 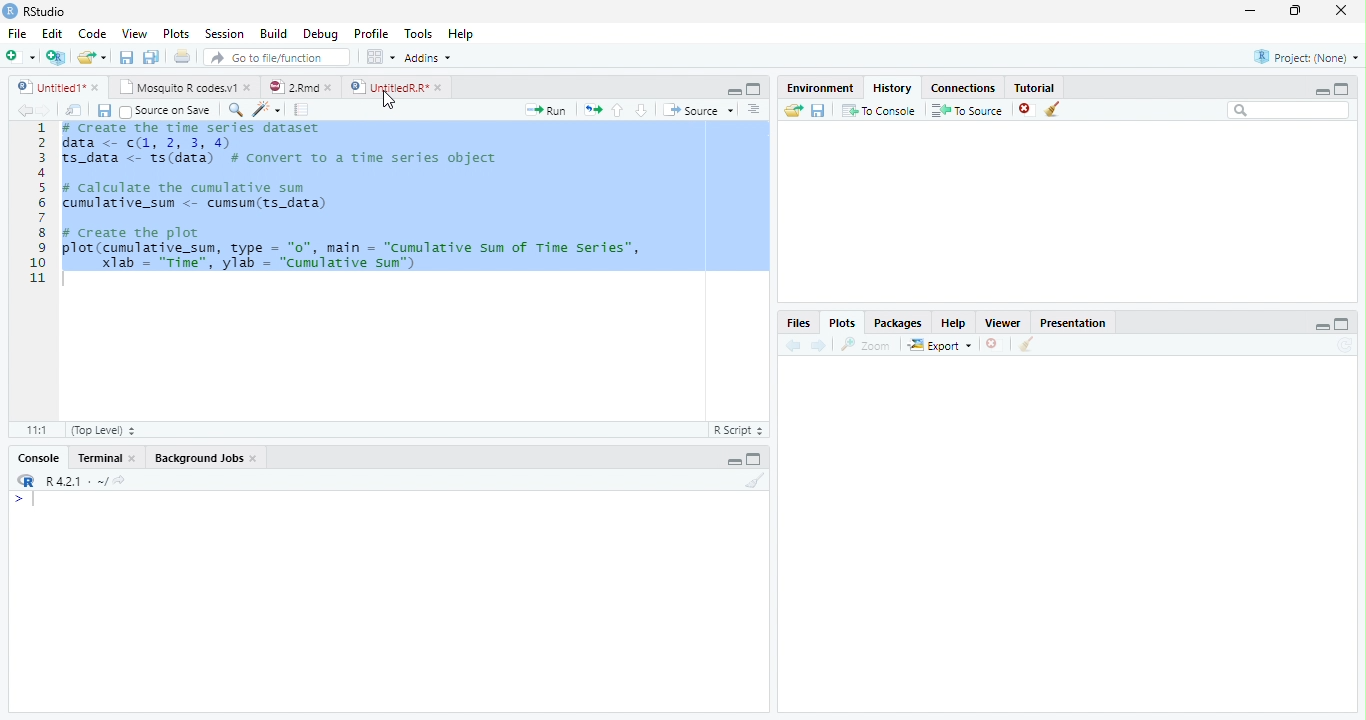 What do you see at coordinates (38, 456) in the screenshot?
I see `Console` at bounding box center [38, 456].